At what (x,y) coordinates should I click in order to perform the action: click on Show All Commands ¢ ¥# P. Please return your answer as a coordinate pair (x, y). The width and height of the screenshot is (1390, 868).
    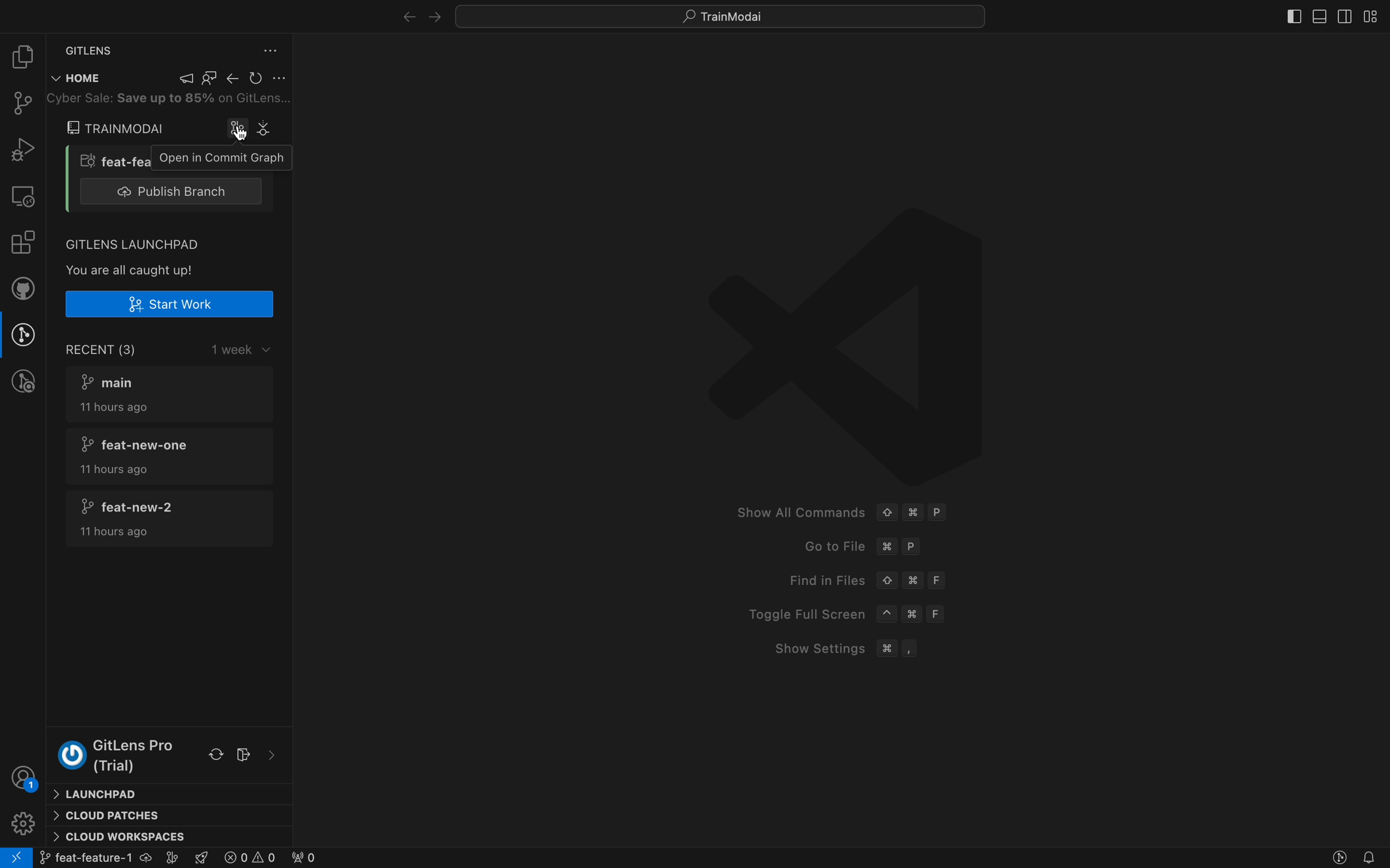
    Looking at the image, I should click on (836, 506).